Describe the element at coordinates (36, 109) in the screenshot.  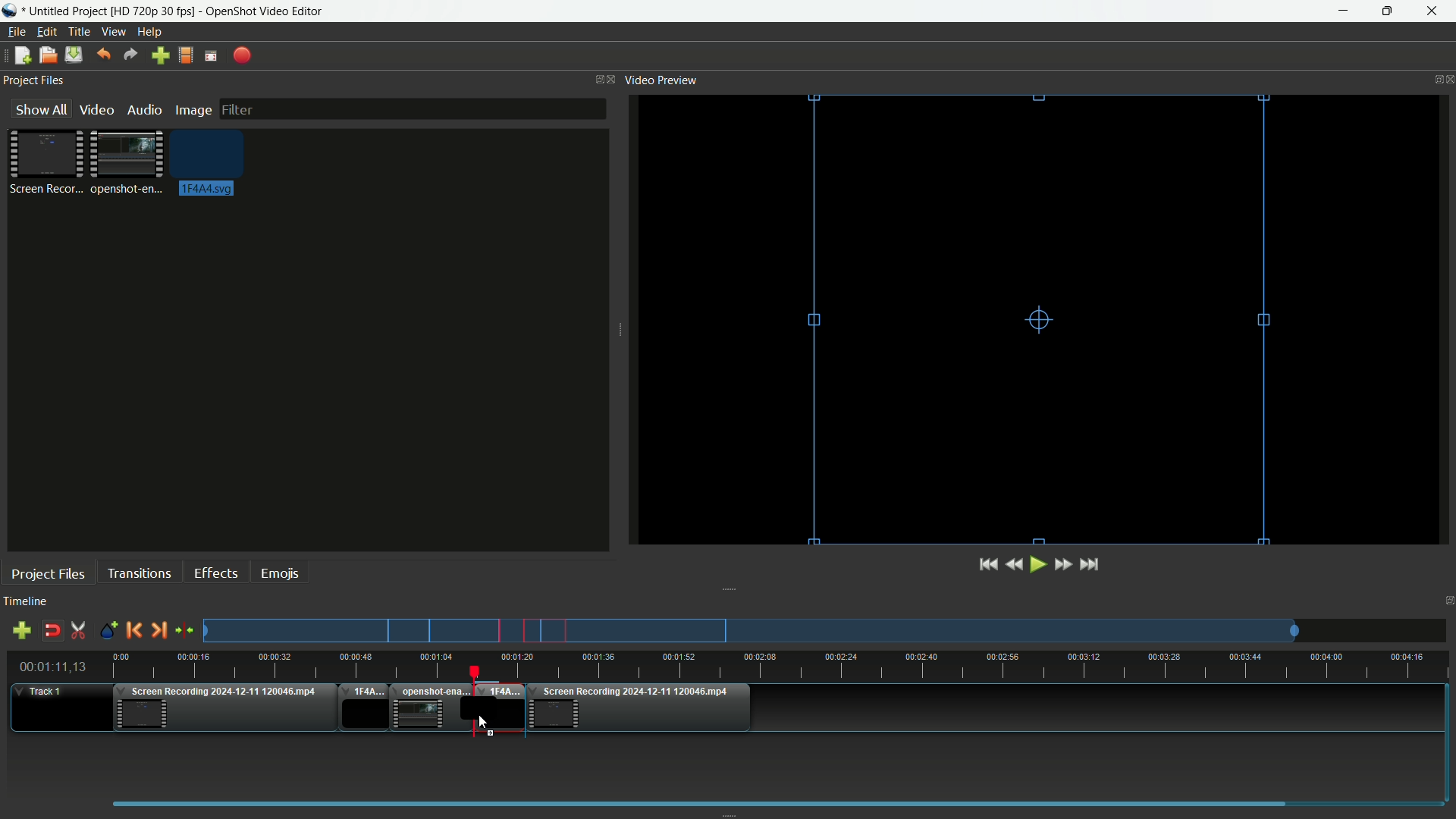
I see `Show all` at that location.